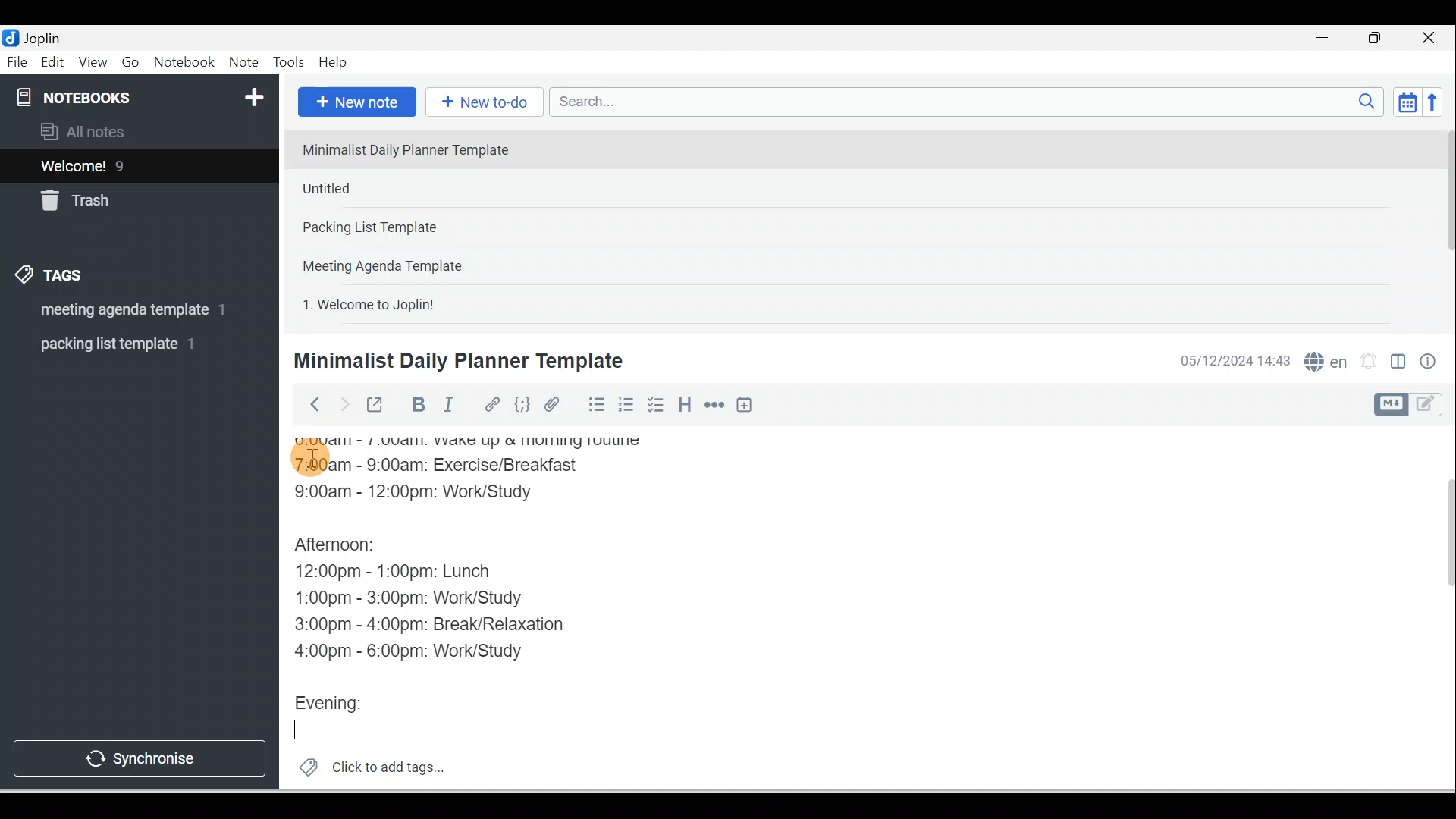 The image size is (1456, 819). What do you see at coordinates (456, 361) in the screenshot?
I see `Minimalist Daily Planner Template` at bounding box center [456, 361].